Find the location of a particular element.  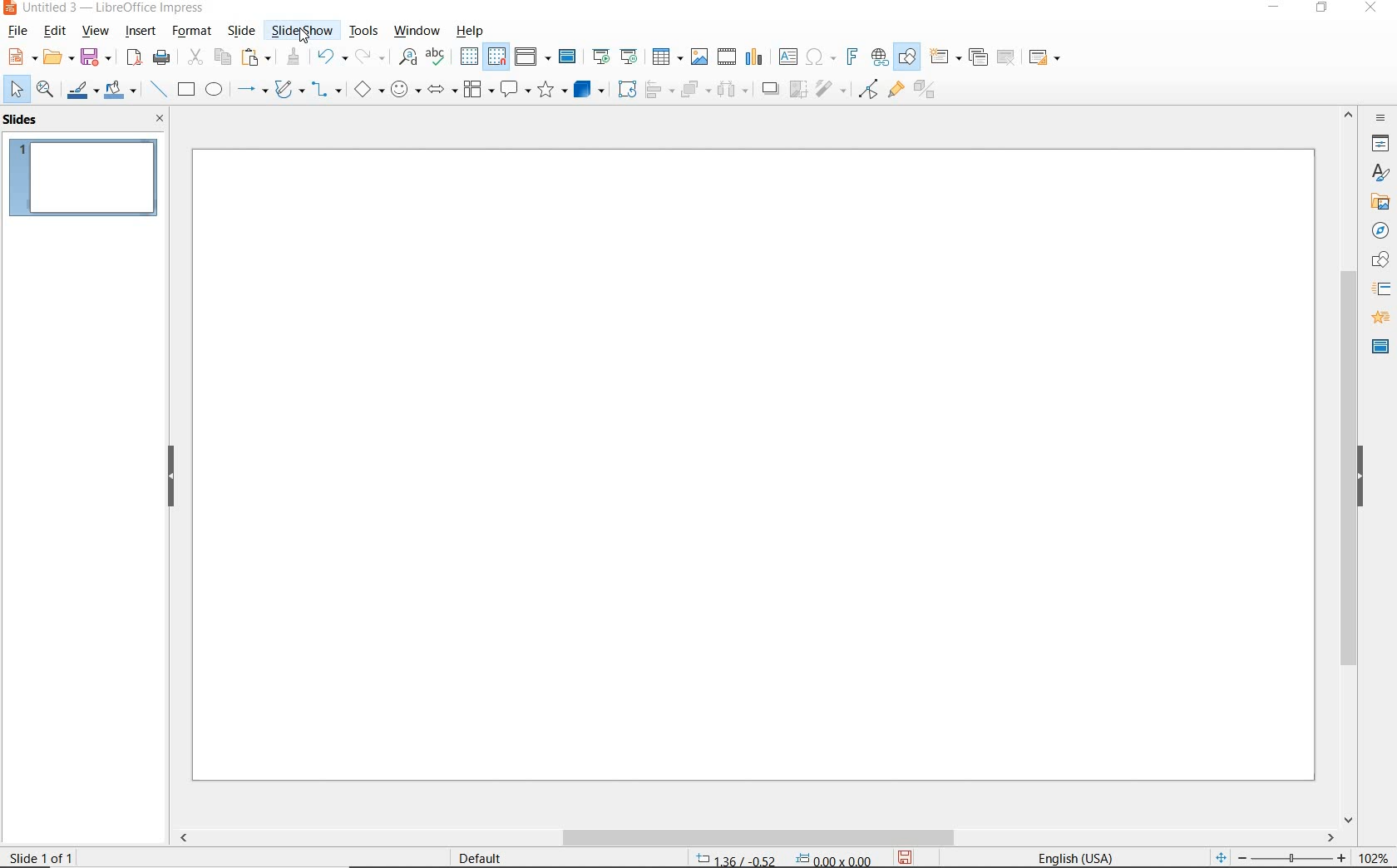

CUT is located at coordinates (196, 56).